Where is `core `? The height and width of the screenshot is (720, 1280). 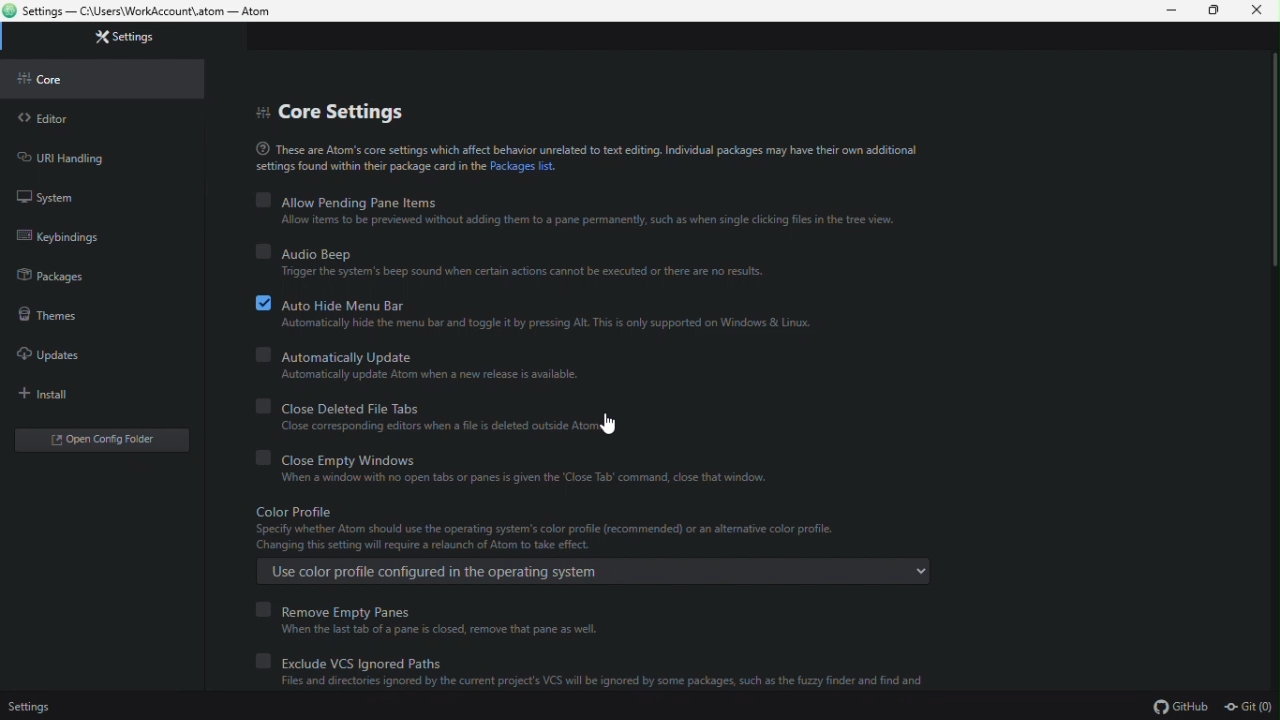 core  is located at coordinates (89, 80).